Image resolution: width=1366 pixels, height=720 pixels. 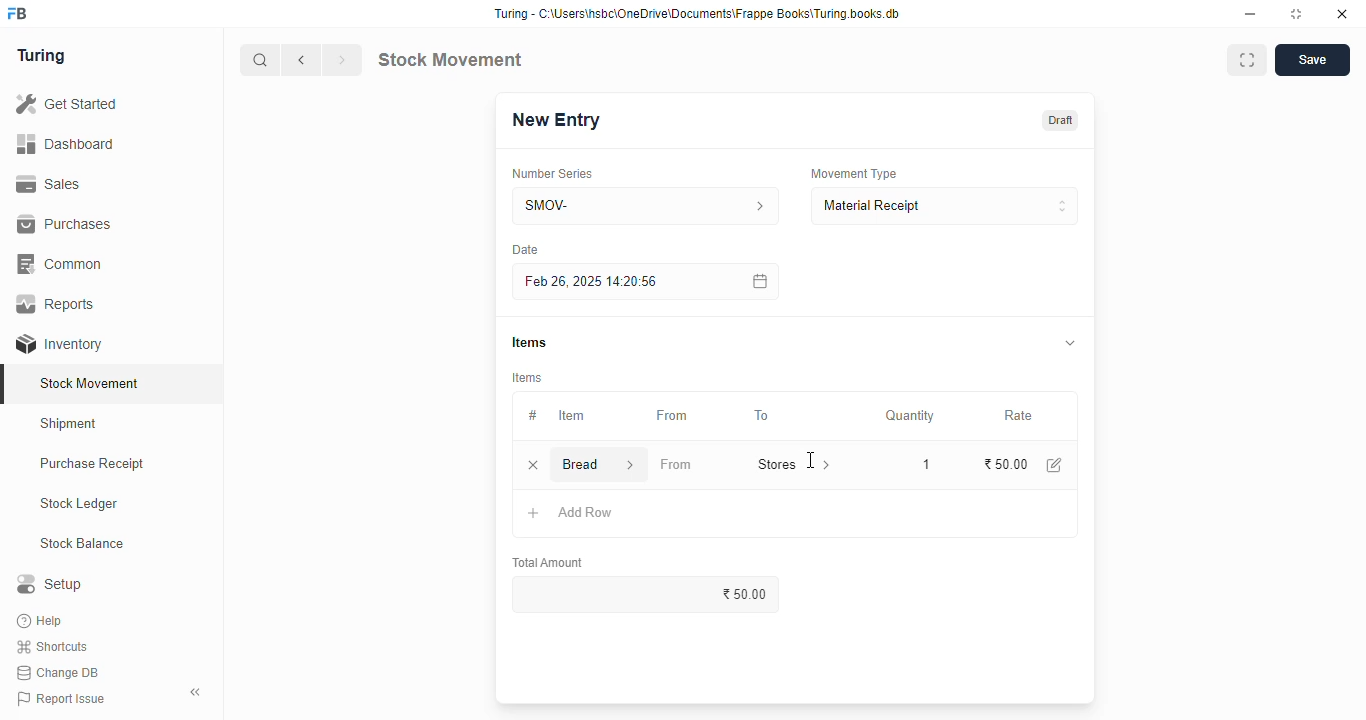 What do you see at coordinates (1071, 342) in the screenshot?
I see `toggle expand/collapse` at bounding box center [1071, 342].